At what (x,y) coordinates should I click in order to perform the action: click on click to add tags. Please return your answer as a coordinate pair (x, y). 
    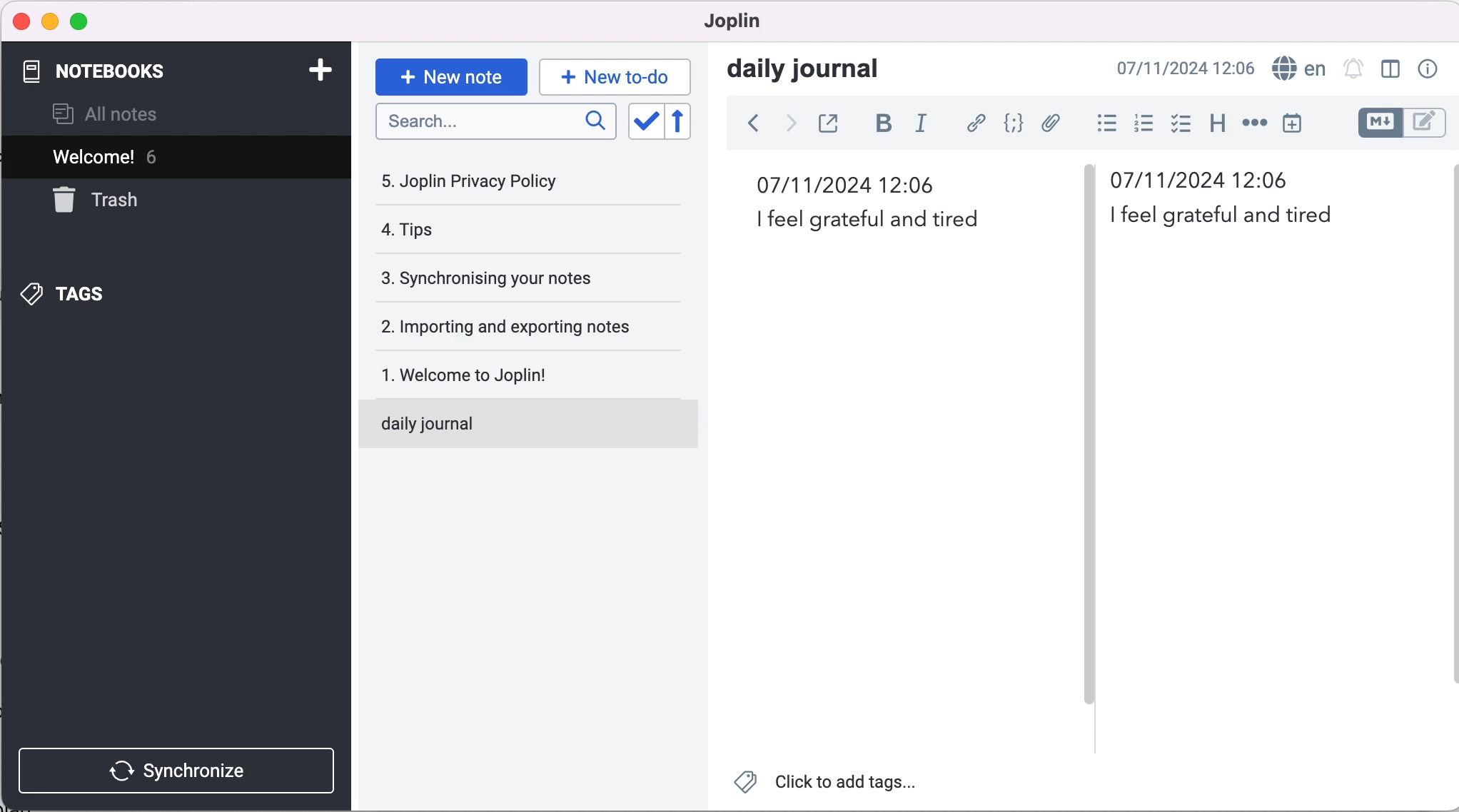
    Looking at the image, I should click on (827, 785).